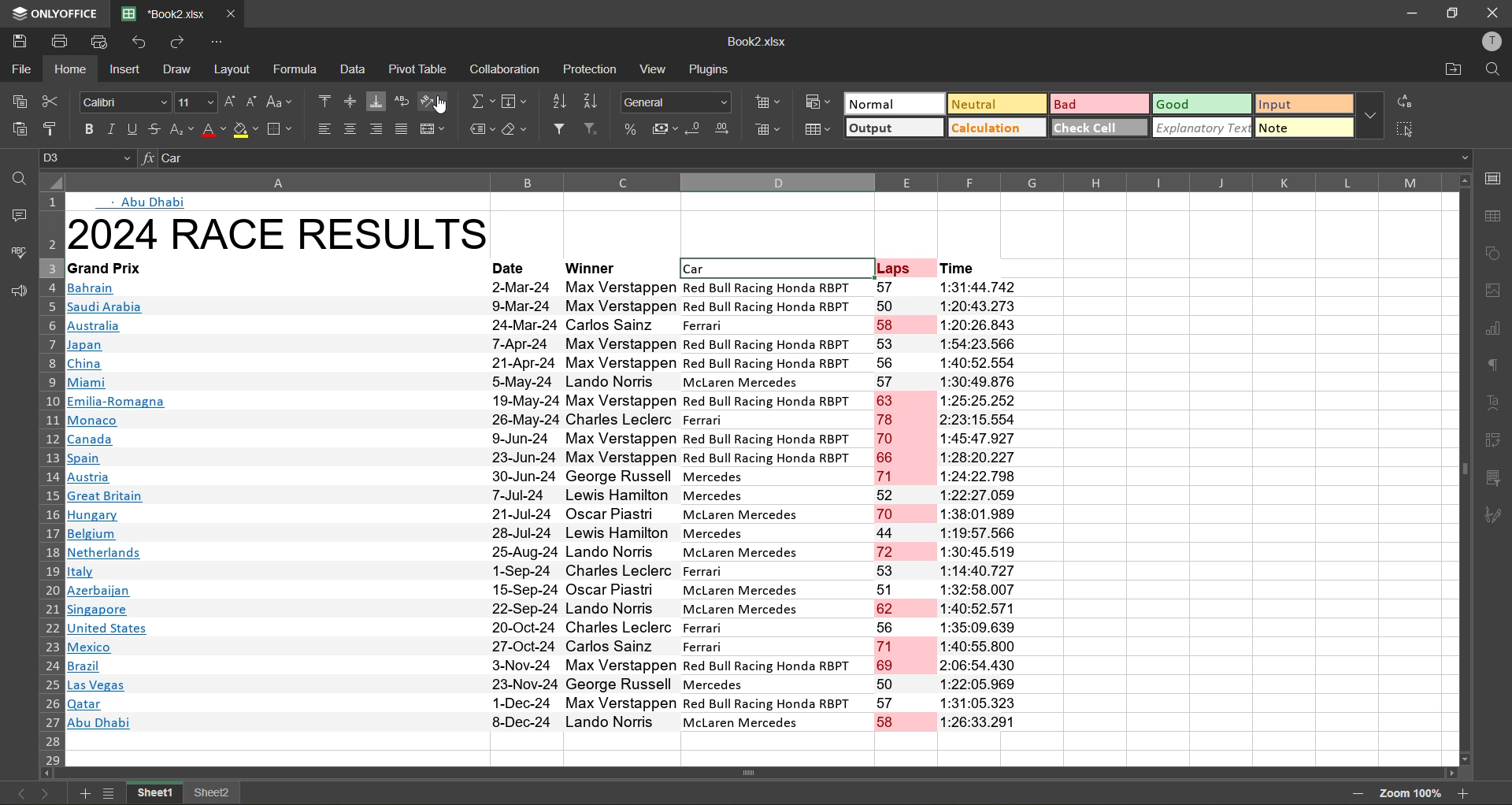  What do you see at coordinates (18, 291) in the screenshot?
I see `feedback` at bounding box center [18, 291].